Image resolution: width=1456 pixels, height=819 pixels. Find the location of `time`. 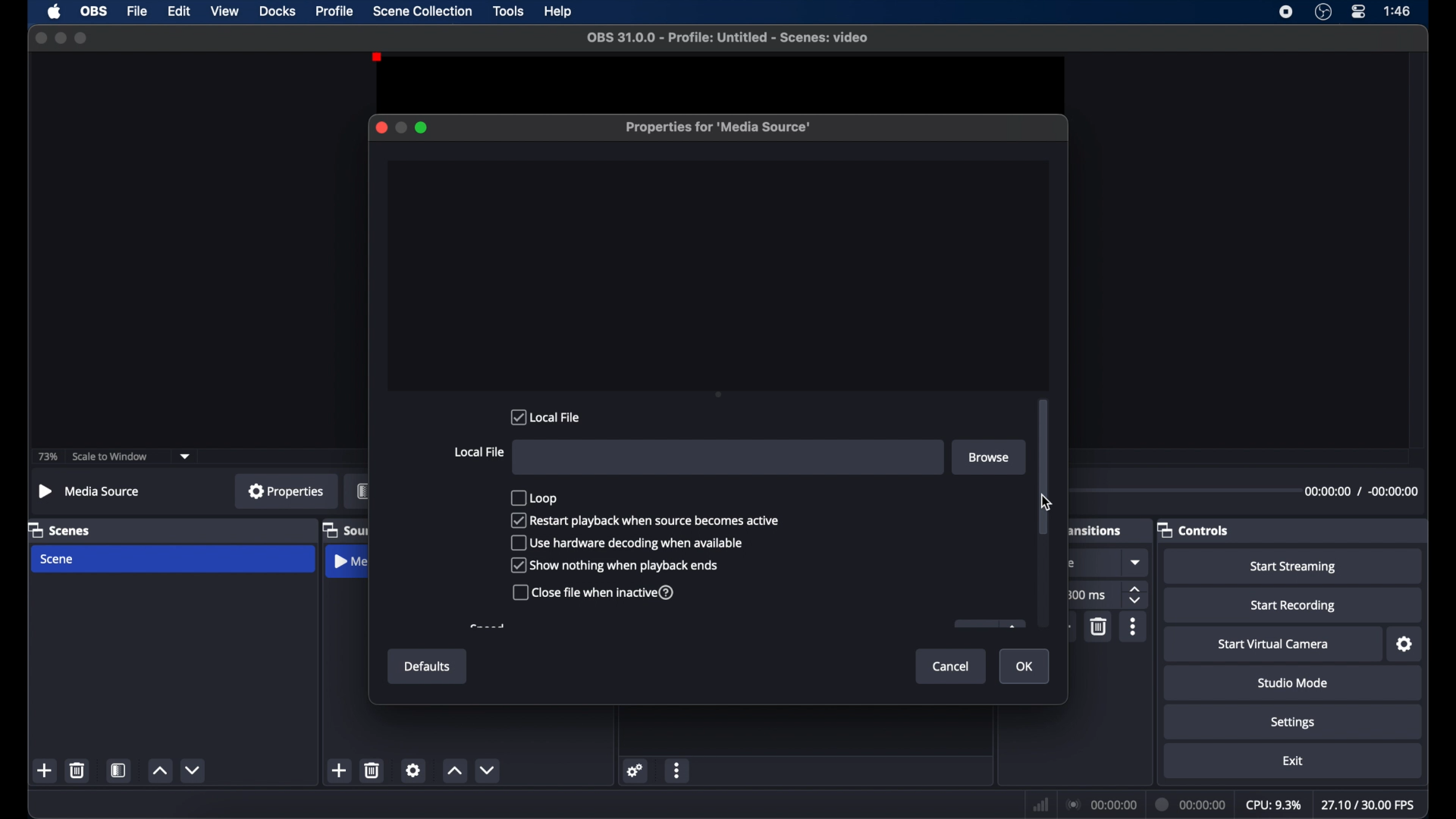

time is located at coordinates (1398, 10).